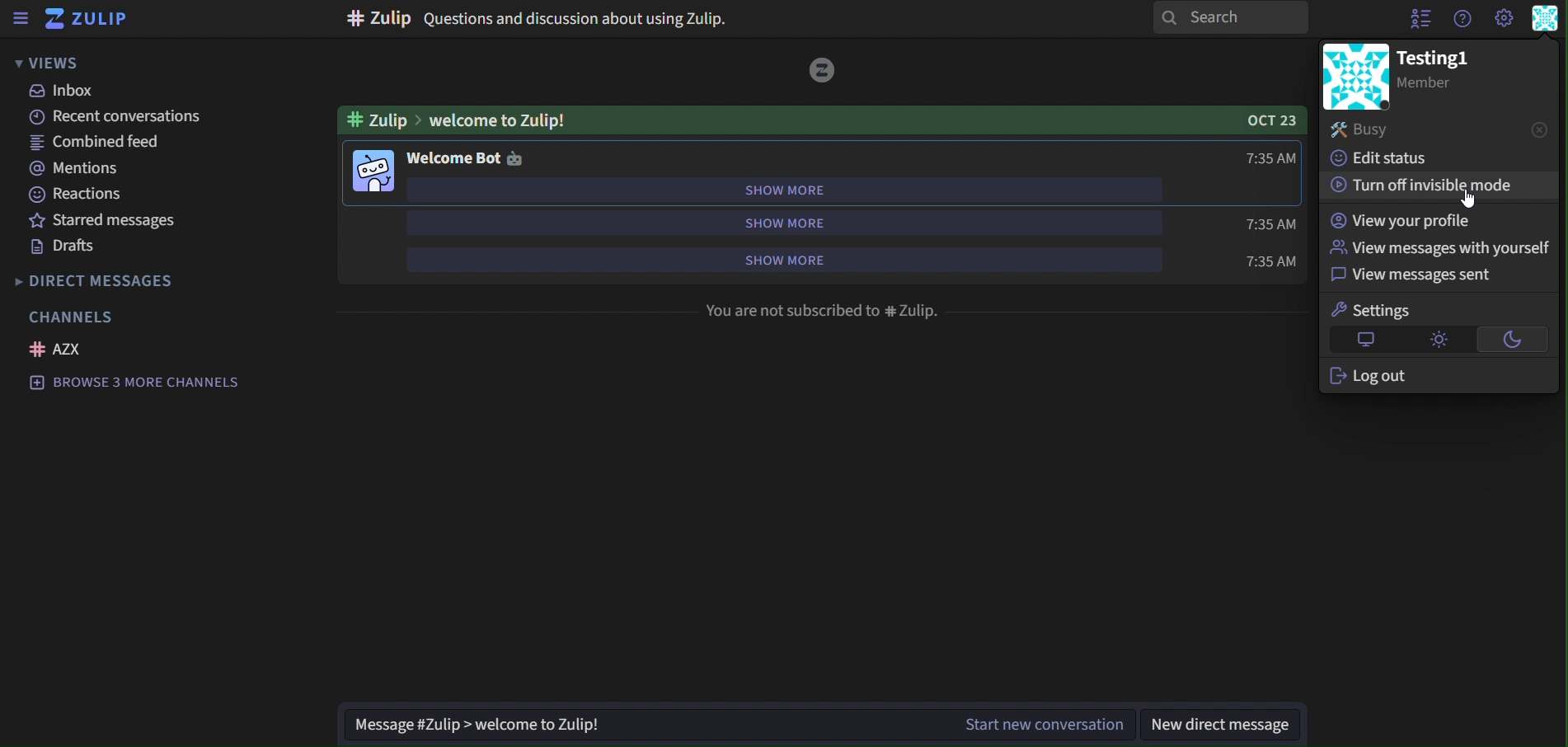 The image size is (1568, 747). I want to click on help menu, so click(1463, 19).